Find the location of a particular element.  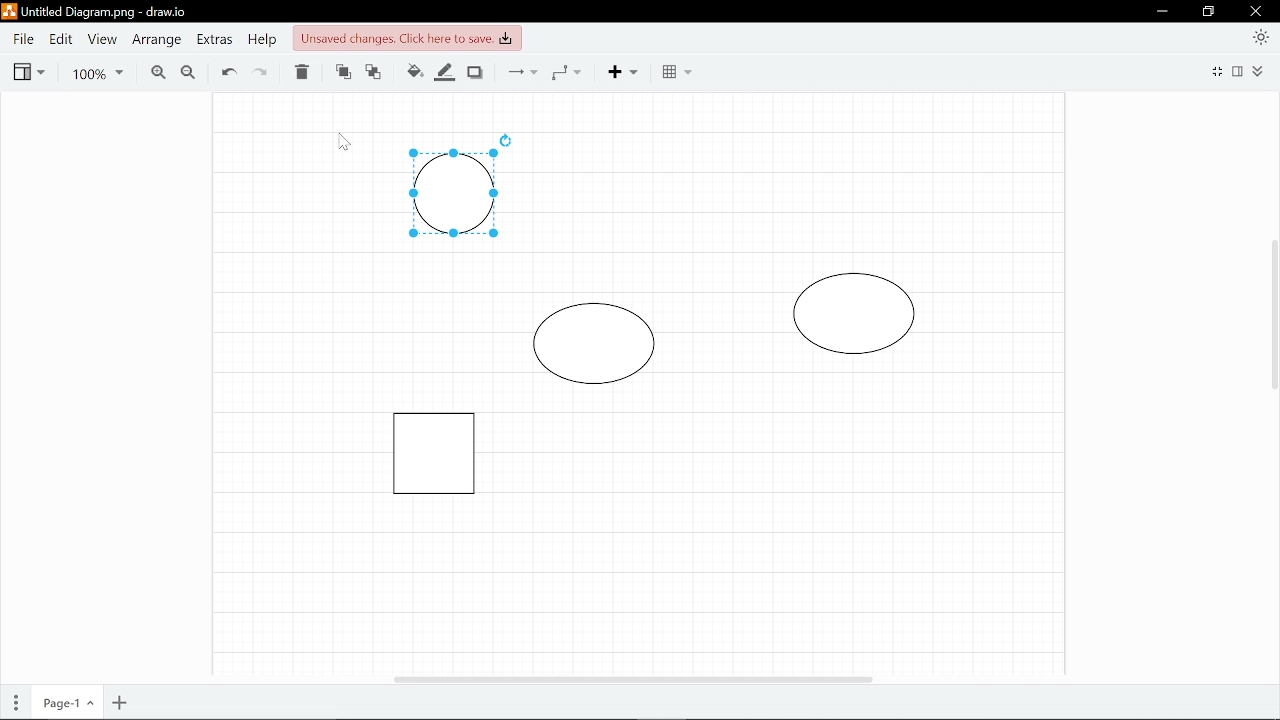

Zoom in is located at coordinates (154, 71).